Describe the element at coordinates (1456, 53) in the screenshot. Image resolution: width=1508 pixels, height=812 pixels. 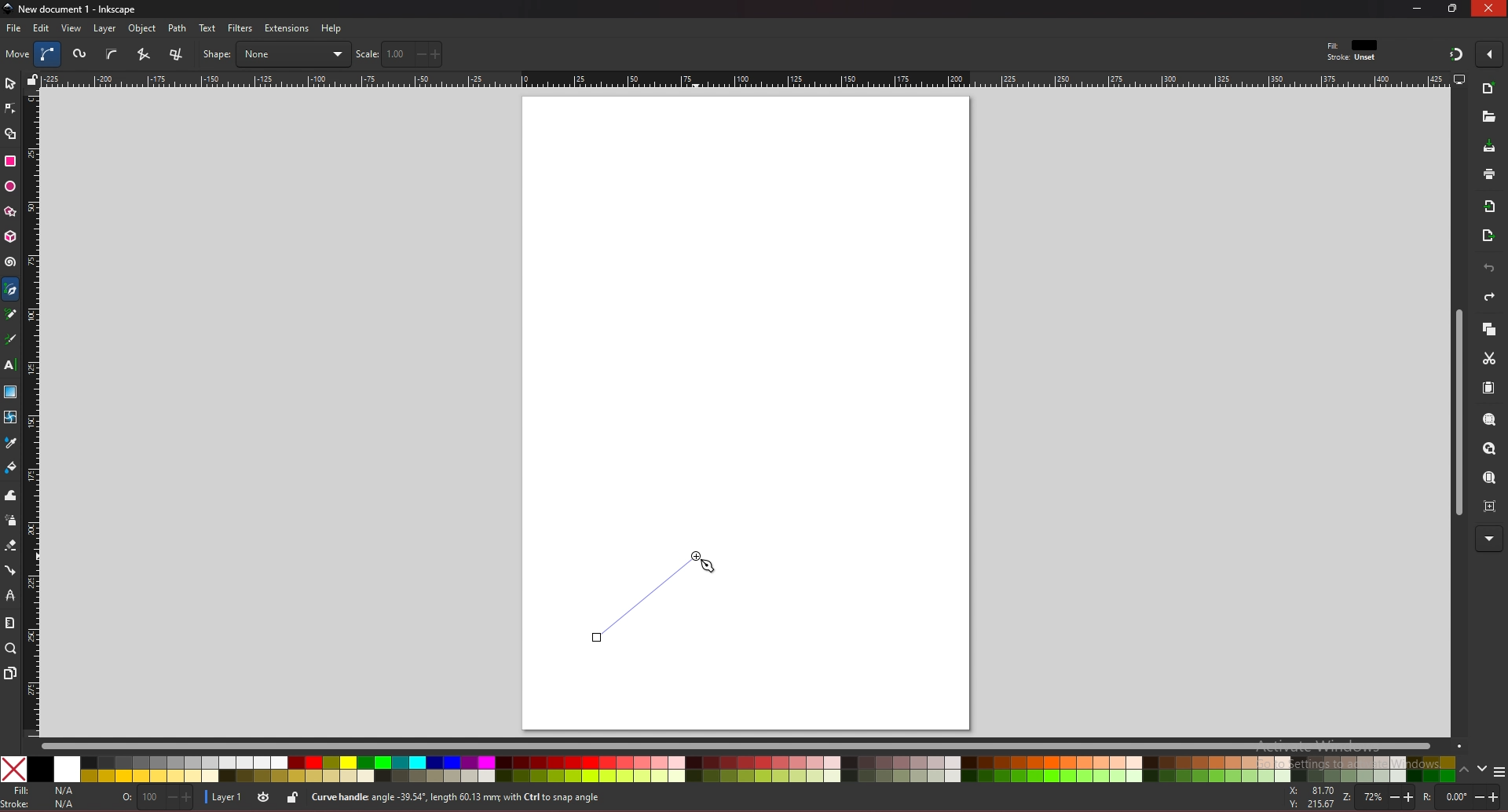
I see `snapping` at that location.